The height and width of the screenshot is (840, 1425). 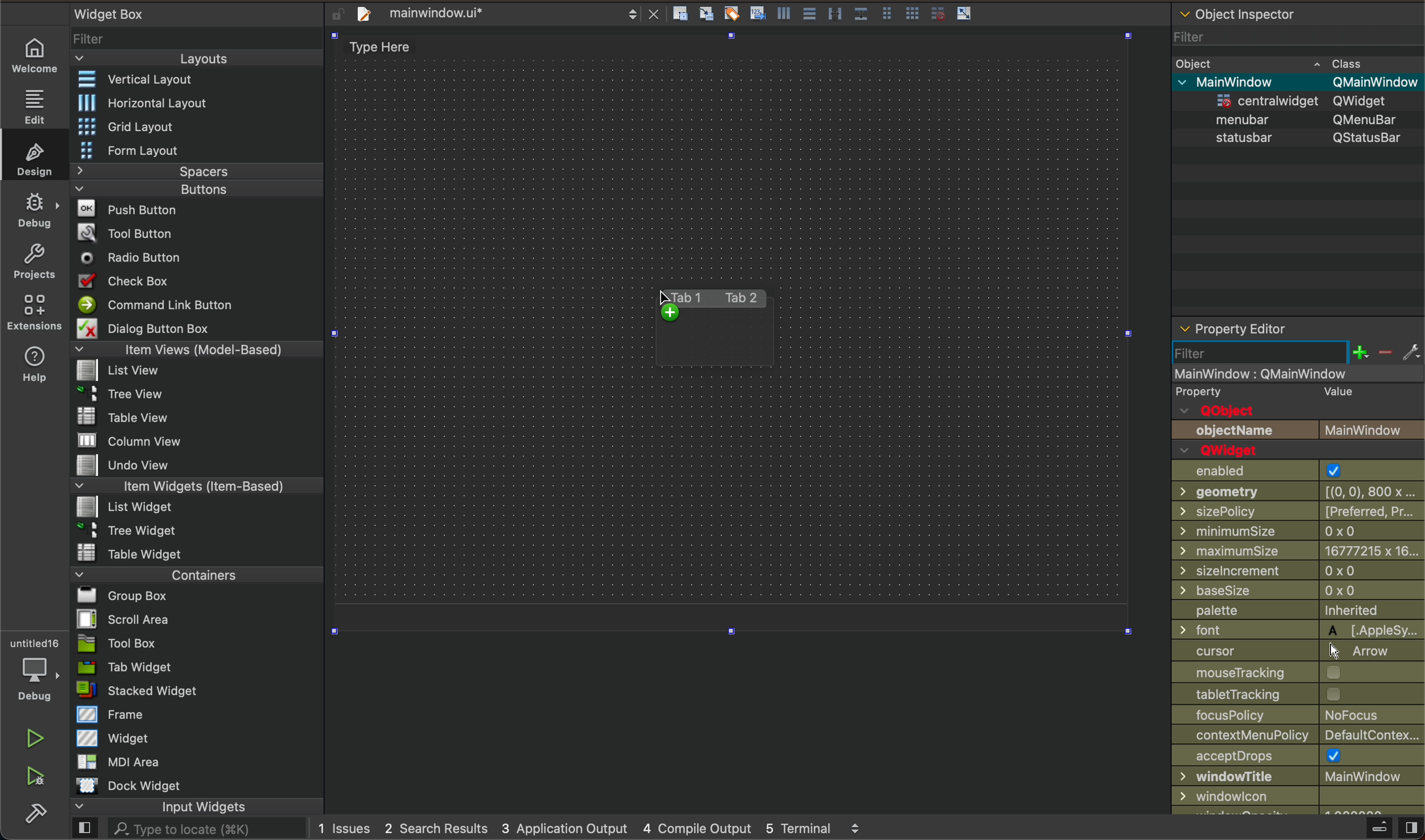 I want to click on Widget, so click(x=114, y=738).